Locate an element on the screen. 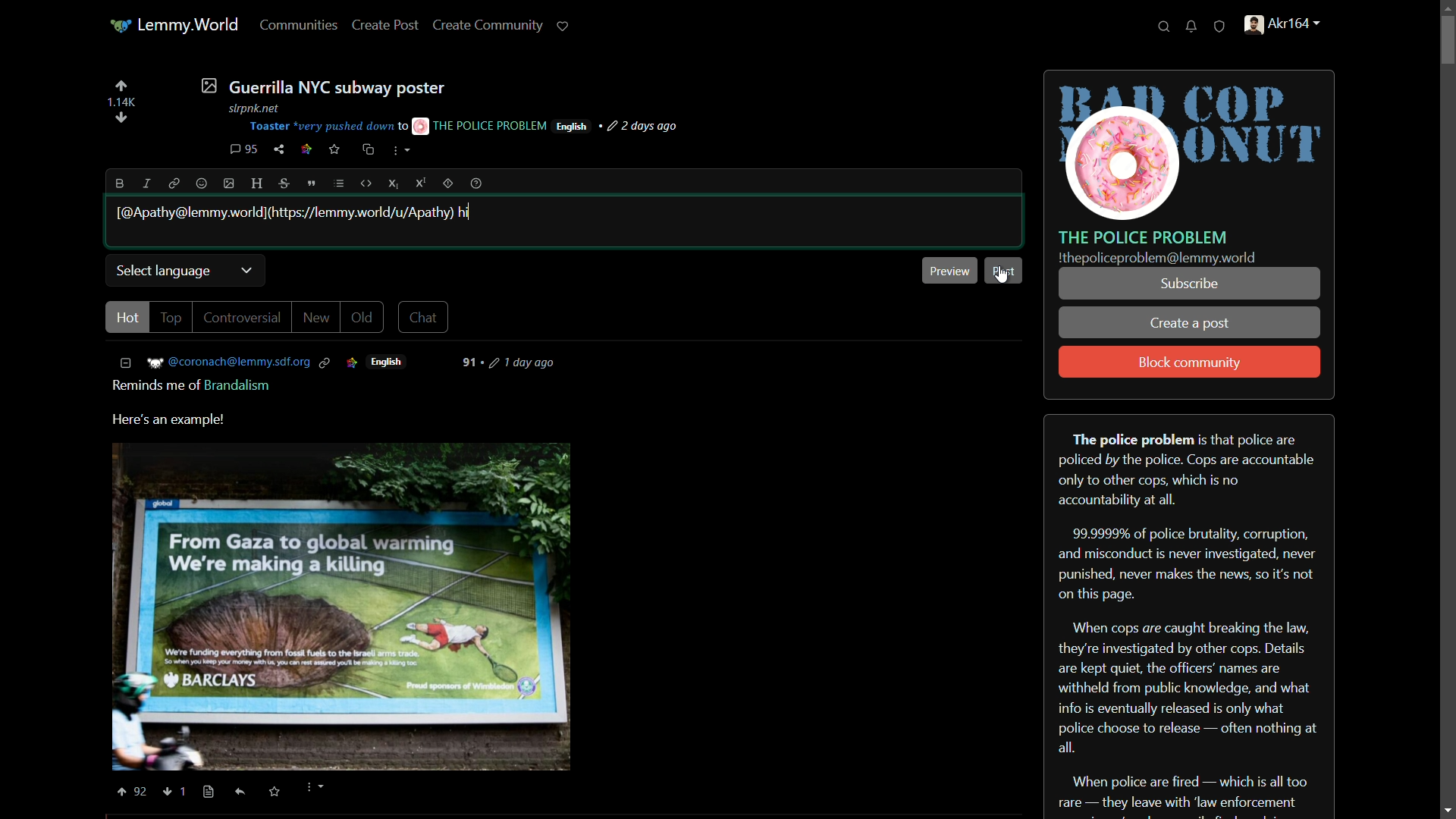  more options is located at coordinates (401, 152).